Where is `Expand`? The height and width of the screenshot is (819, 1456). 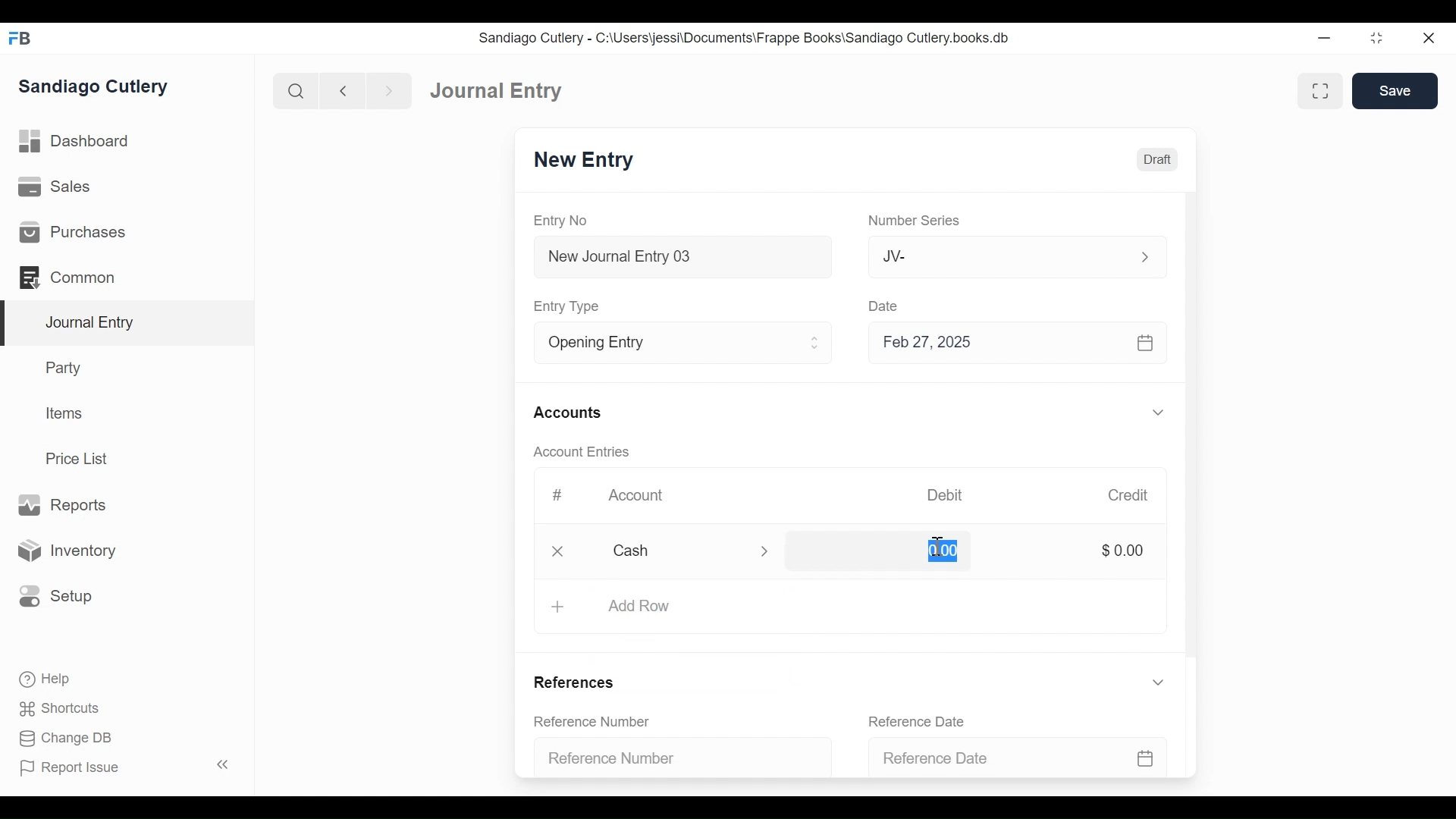
Expand is located at coordinates (766, 551).